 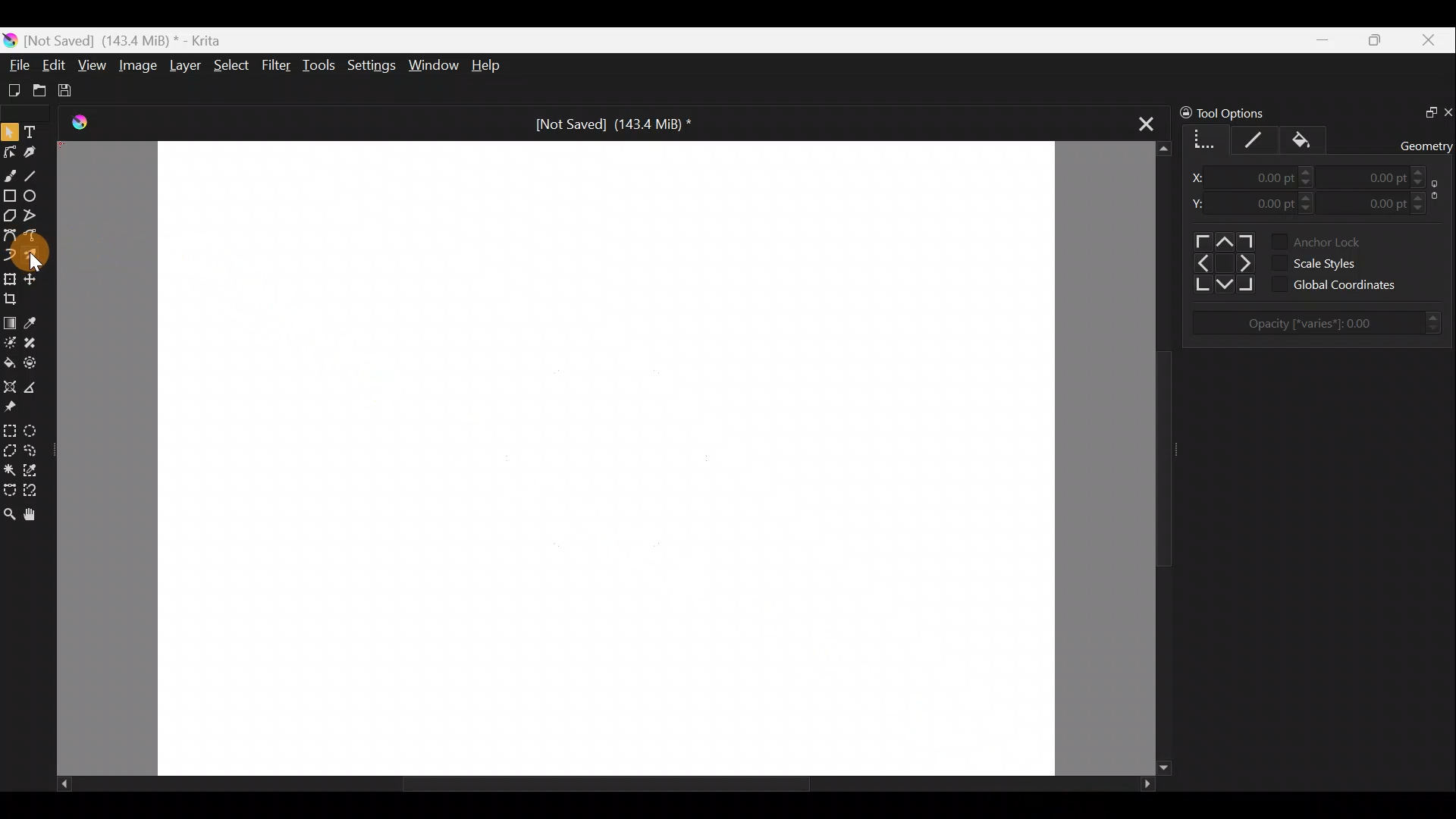 What do you see at coordinates (40, 89) in the screenshot?
I see `Open existing document` at bounding box center [40, 89].